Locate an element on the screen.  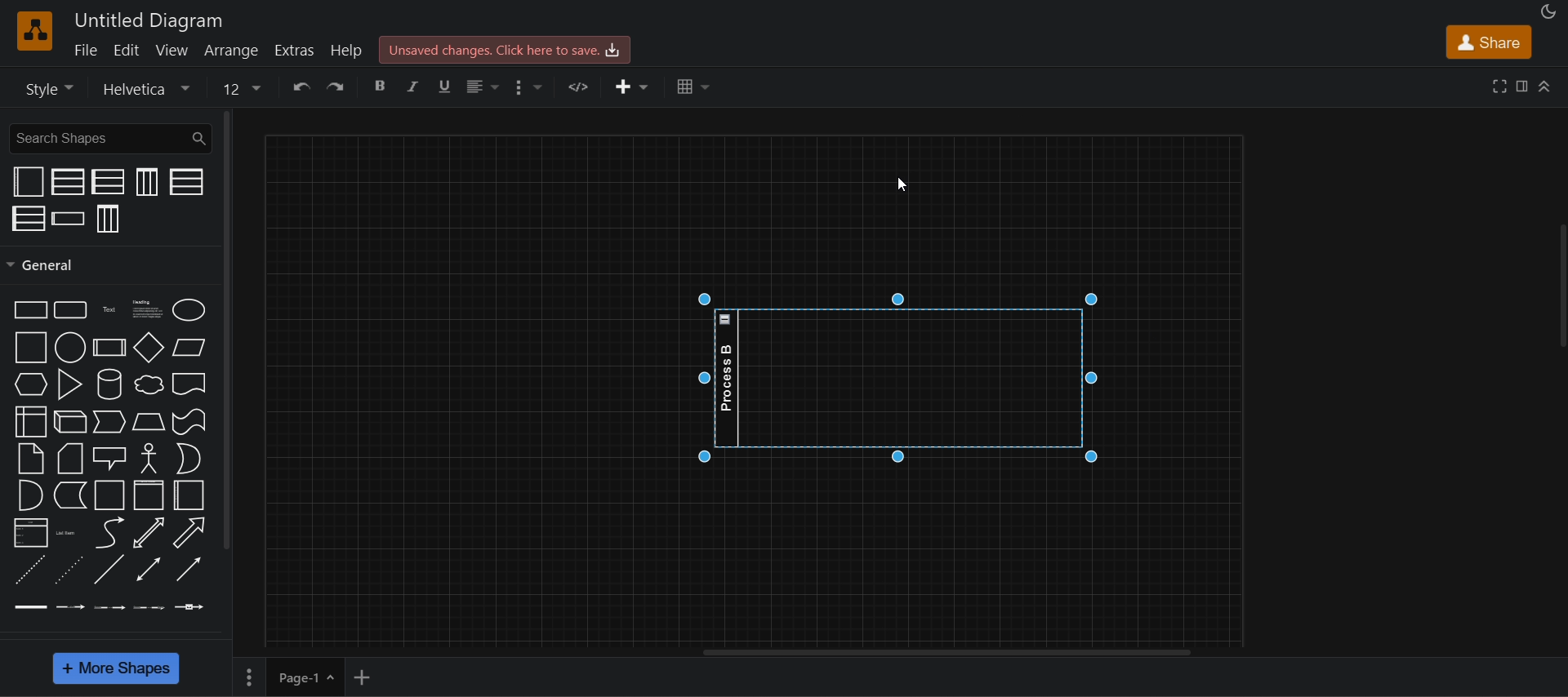
underline is located at coordinates (443, 84).